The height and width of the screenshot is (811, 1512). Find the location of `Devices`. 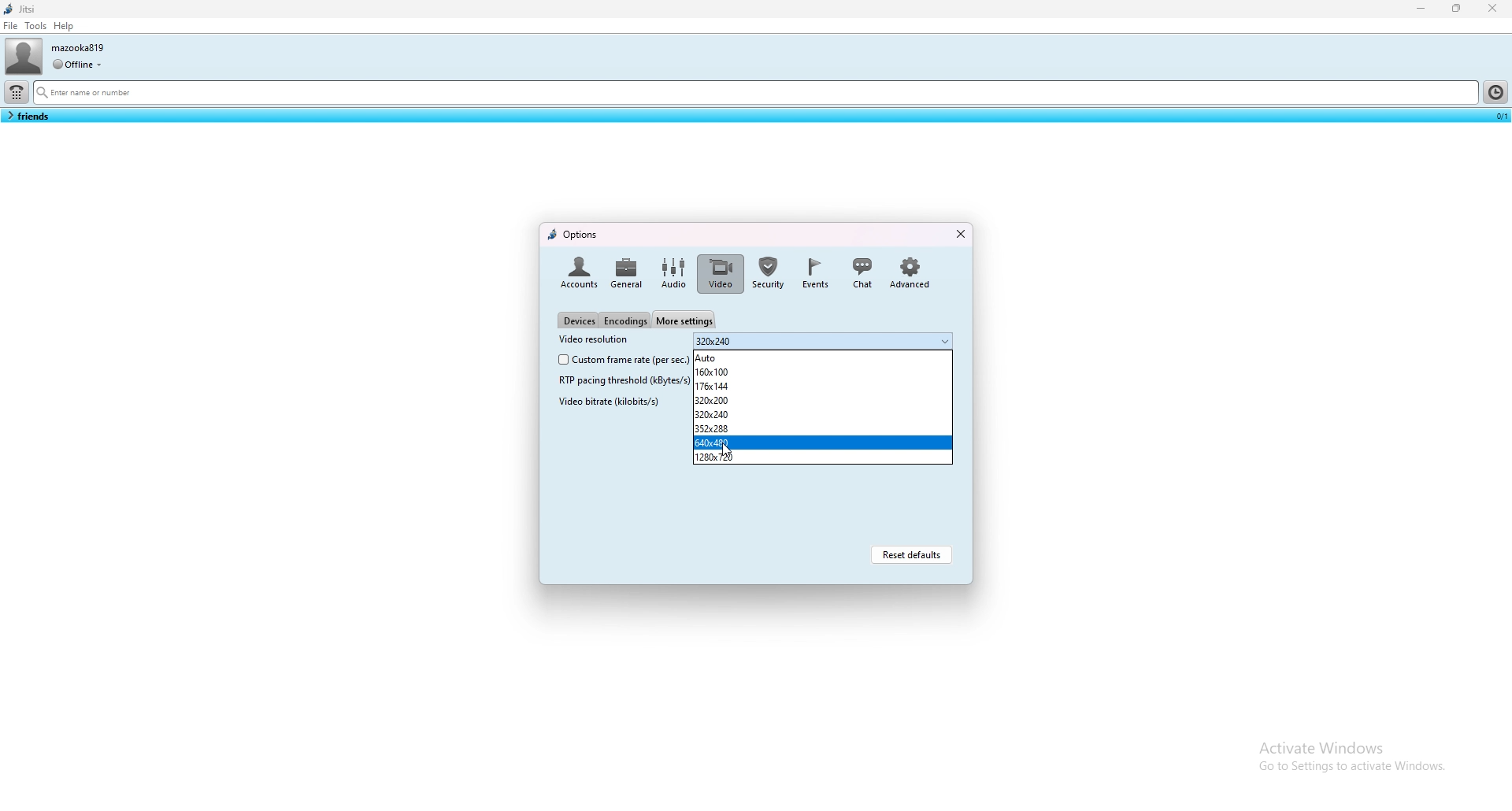

Devices is located at coordinates (578, 320).